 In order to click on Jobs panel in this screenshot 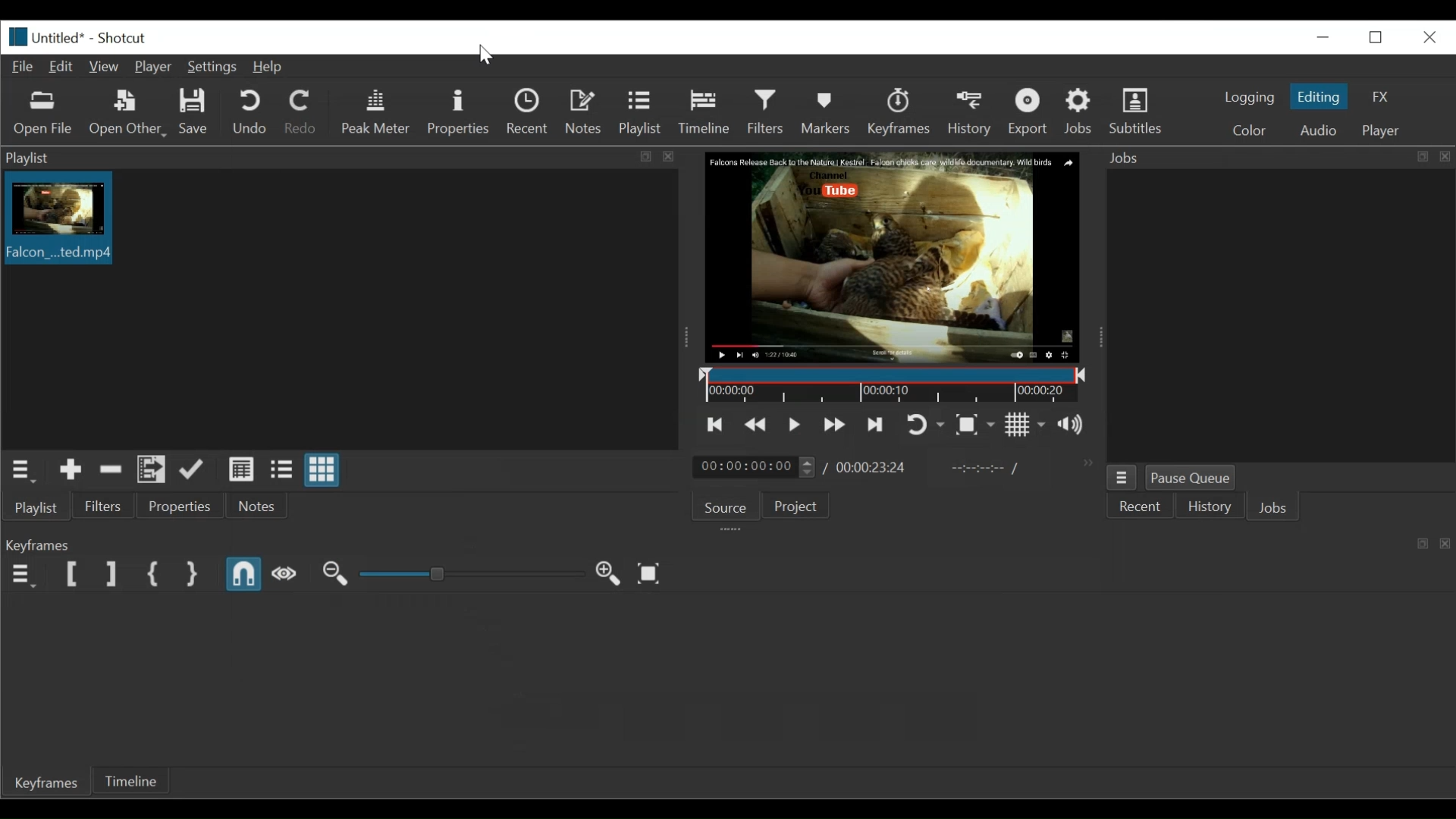, I will do `click(1278, 160)`.